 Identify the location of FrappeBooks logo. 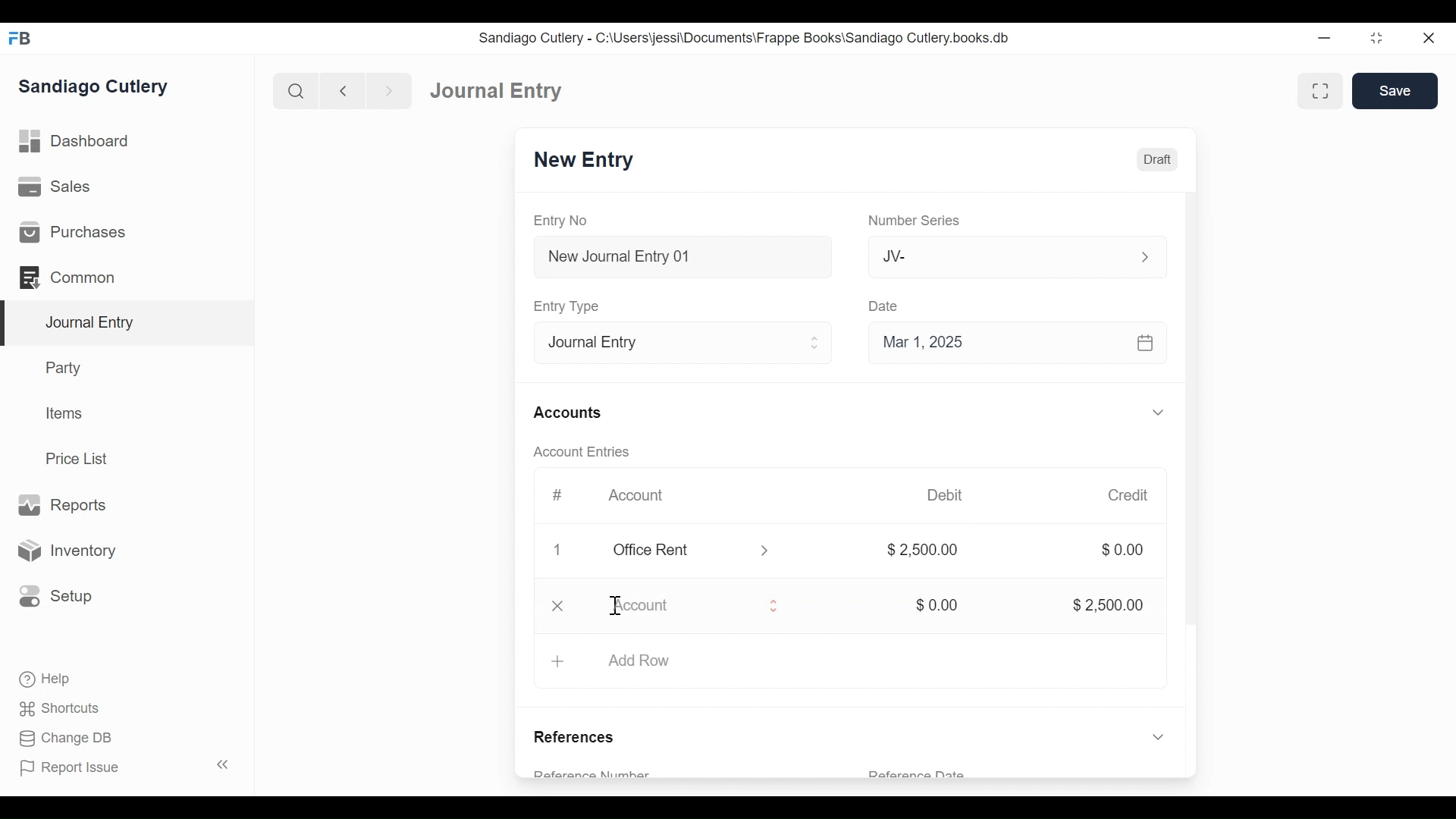
(19, 38).